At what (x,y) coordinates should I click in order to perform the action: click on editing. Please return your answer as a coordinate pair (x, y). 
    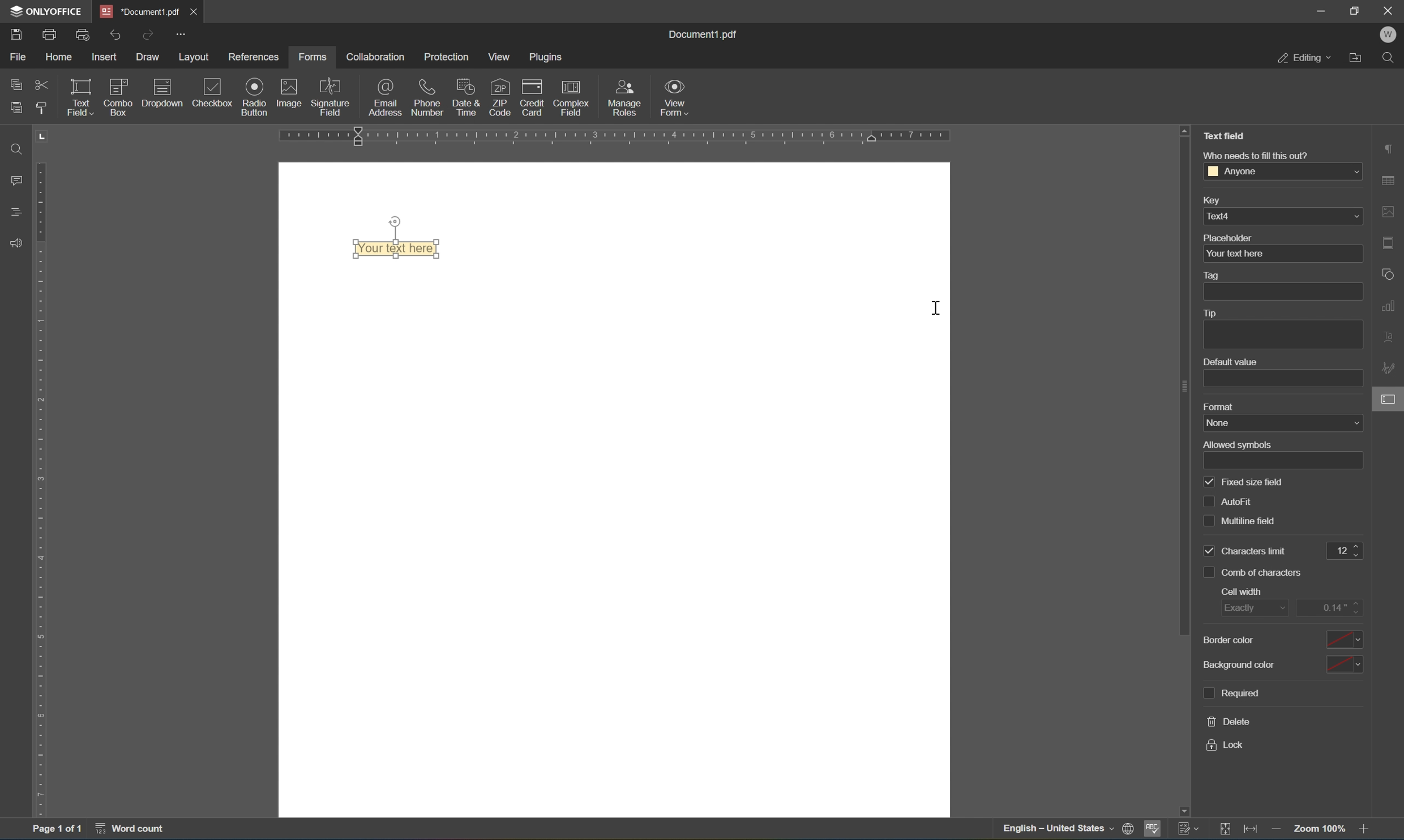
    Looking at the image, I should click on (1307, 58).